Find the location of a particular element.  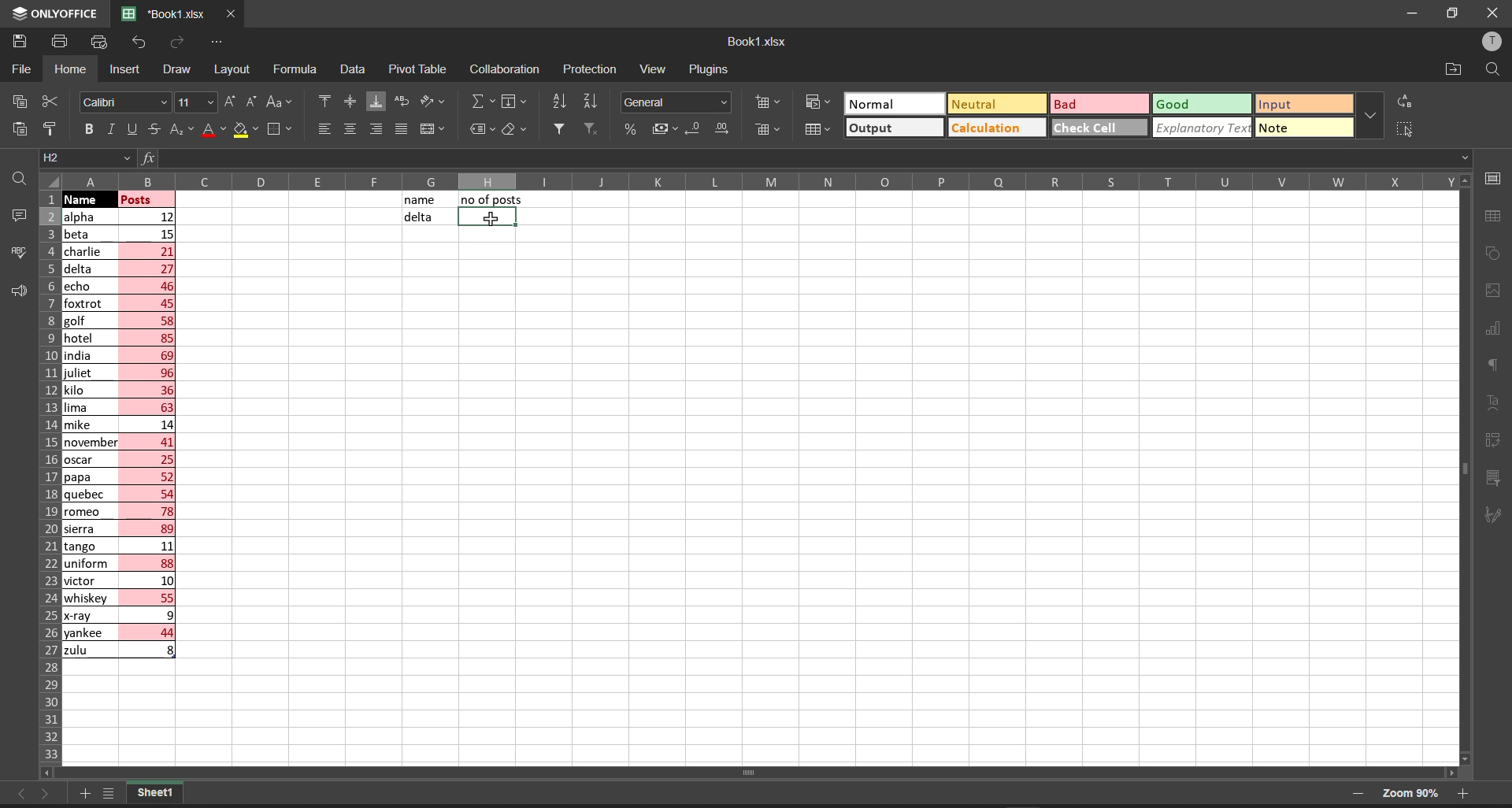

slicer settings is located at coordinates (1501, 474).